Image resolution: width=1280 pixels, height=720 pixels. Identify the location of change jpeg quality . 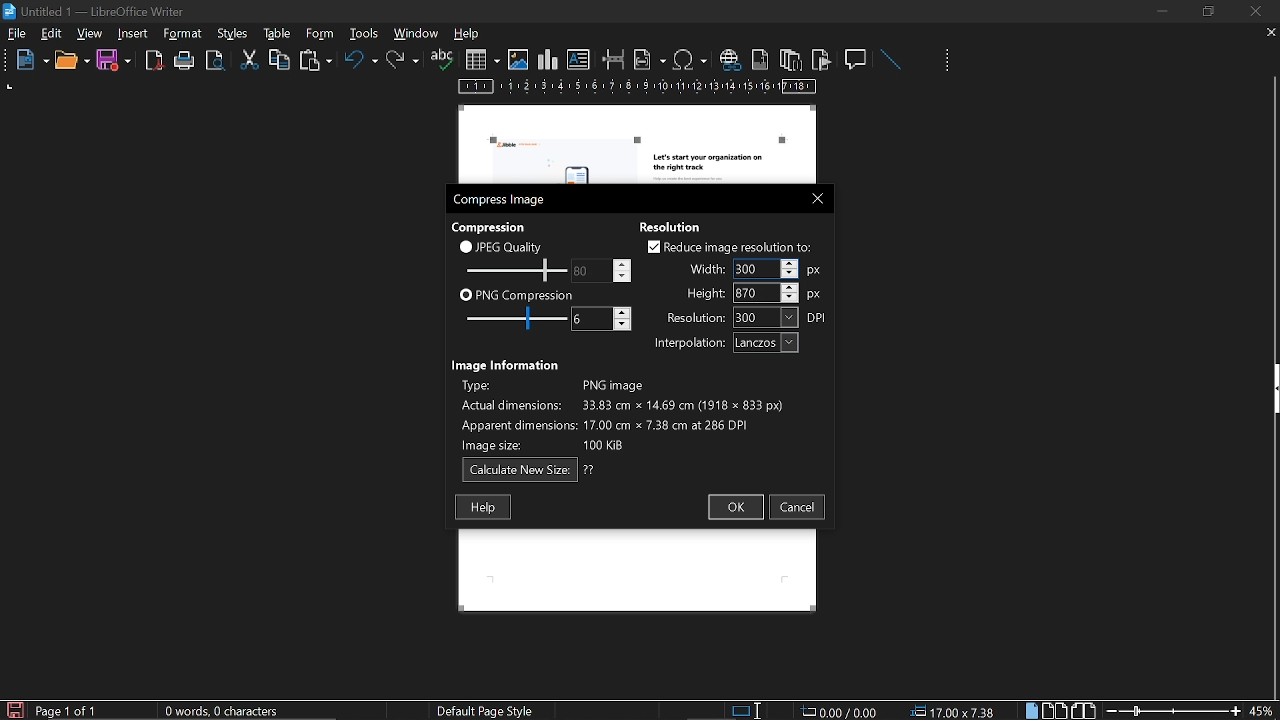
(602, 270).